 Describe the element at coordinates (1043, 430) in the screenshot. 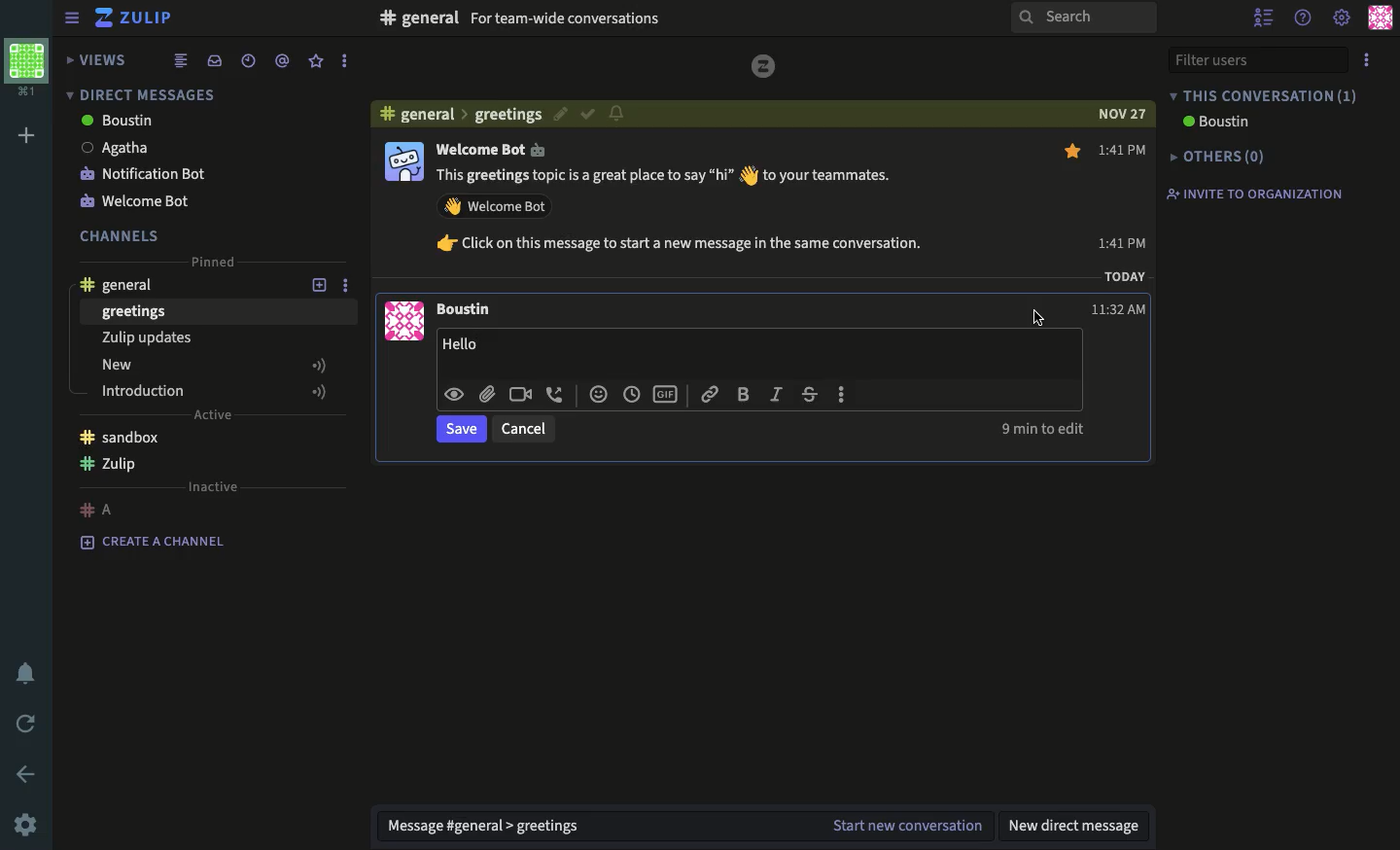

I see `9 min to edit` at that location.